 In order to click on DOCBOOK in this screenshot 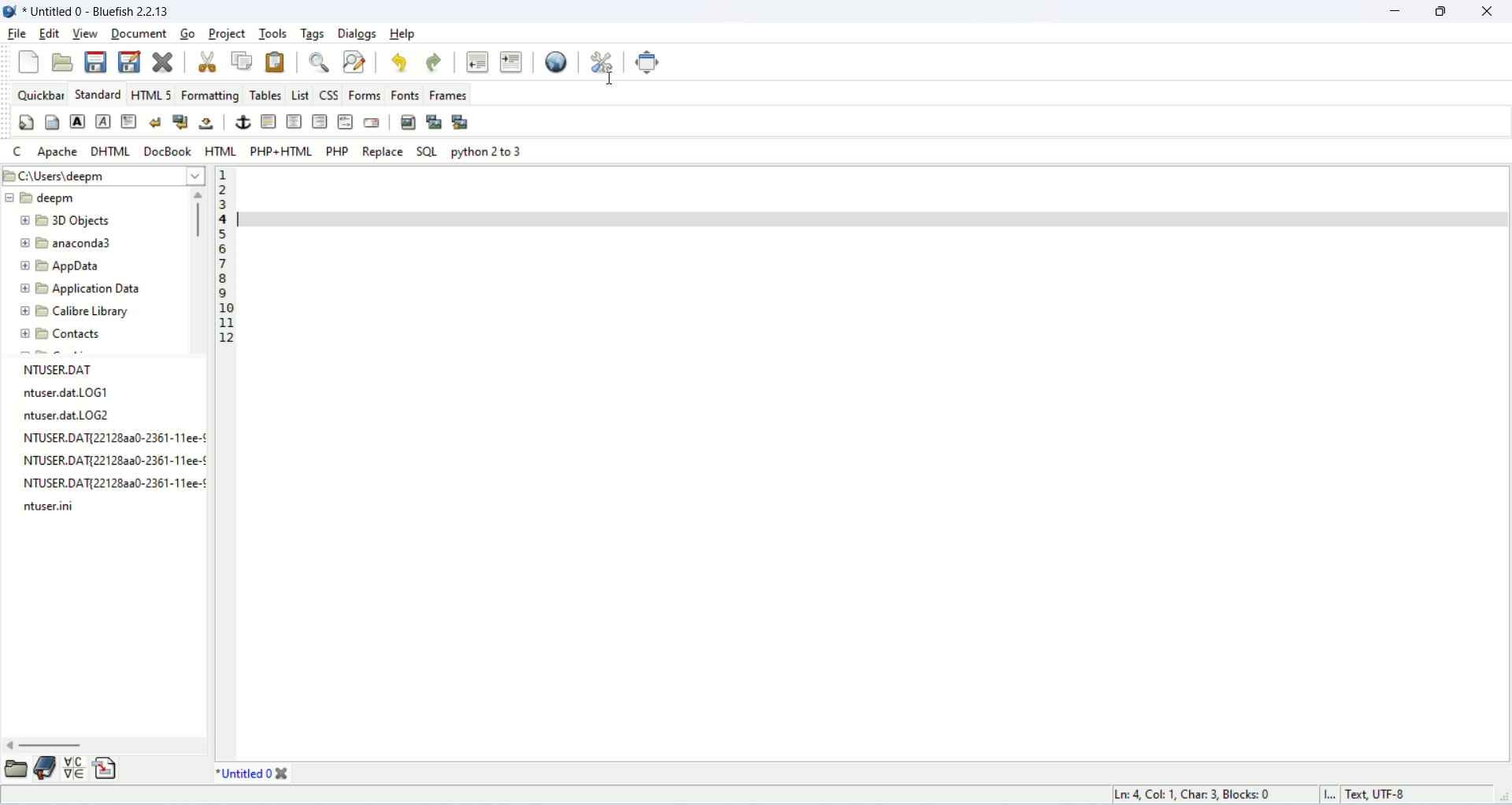, I will do `click(169, 151)`.